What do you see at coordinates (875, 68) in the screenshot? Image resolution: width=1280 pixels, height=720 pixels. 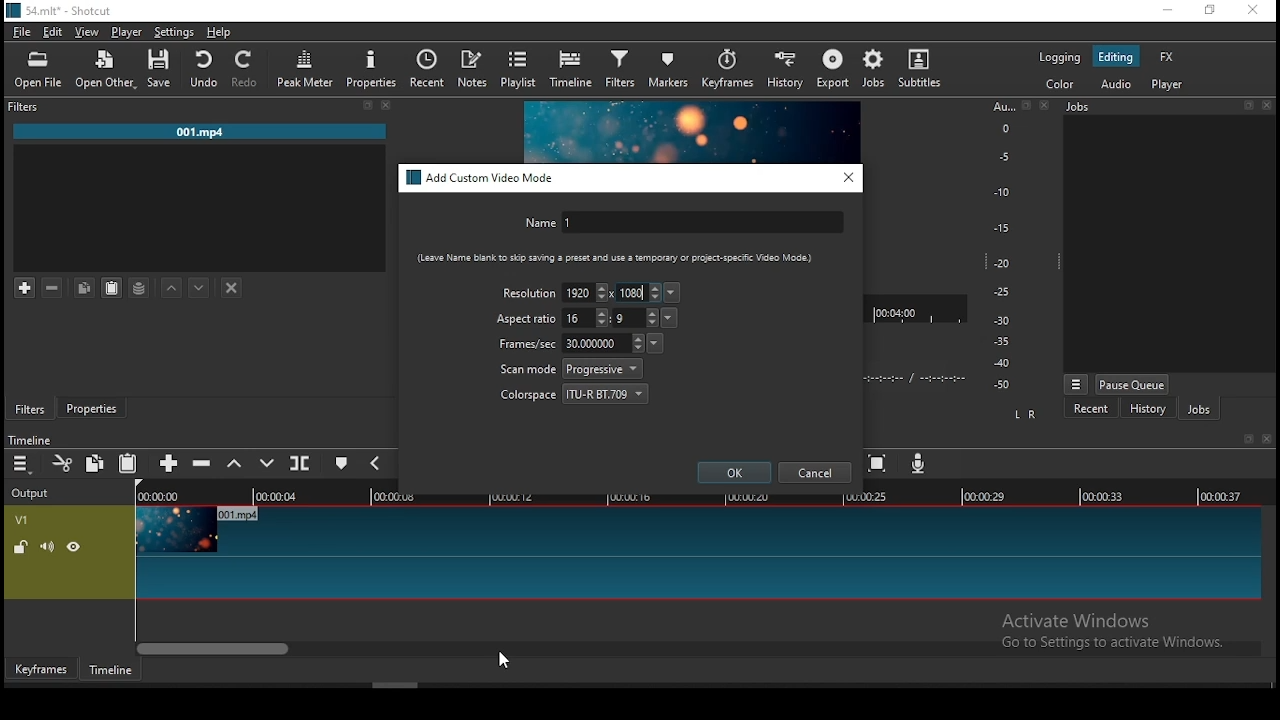 I see `jobs` at bounding box center [875, 68].